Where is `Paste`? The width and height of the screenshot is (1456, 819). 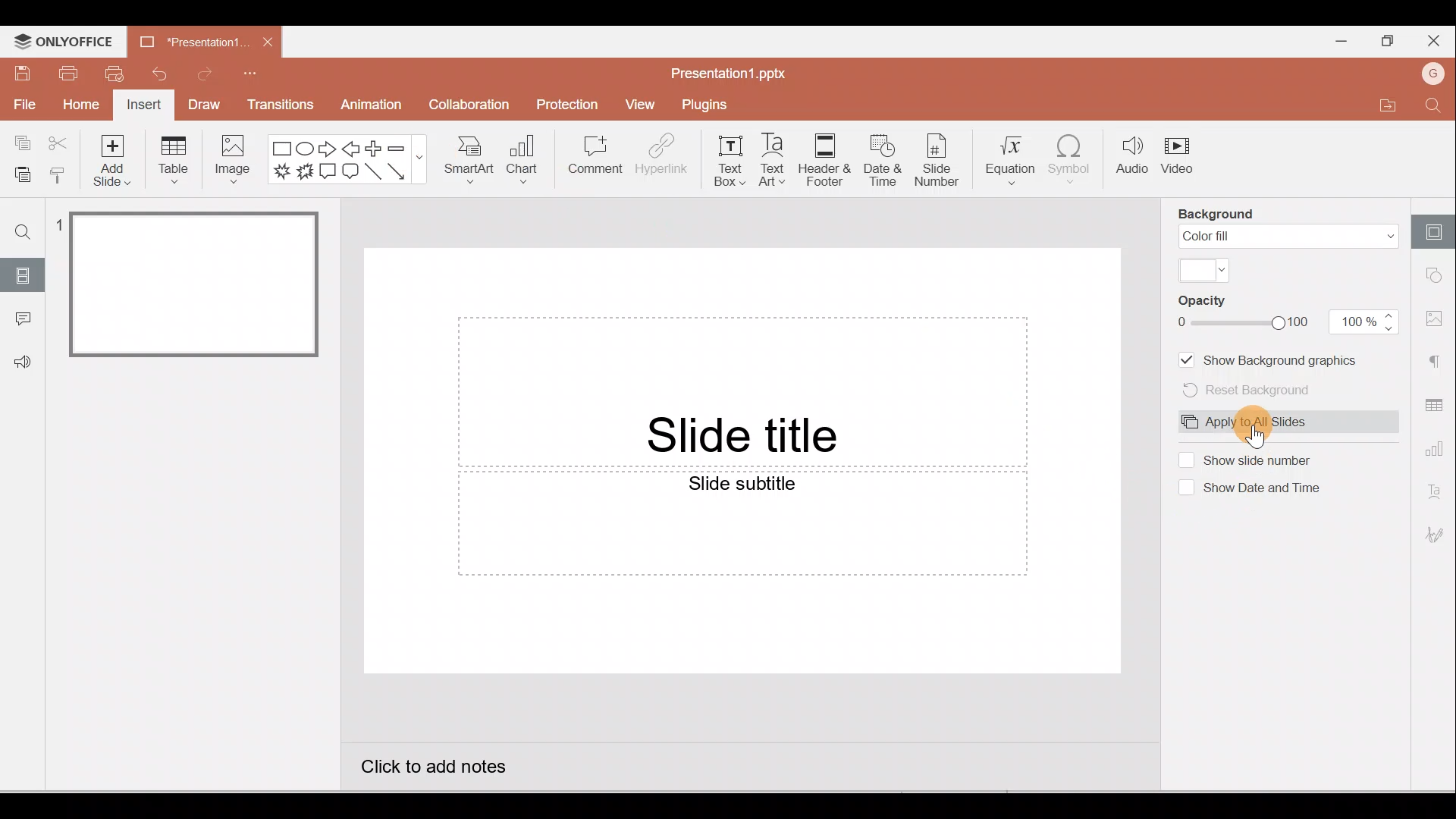 Paste is located at coordinates (18, 172).